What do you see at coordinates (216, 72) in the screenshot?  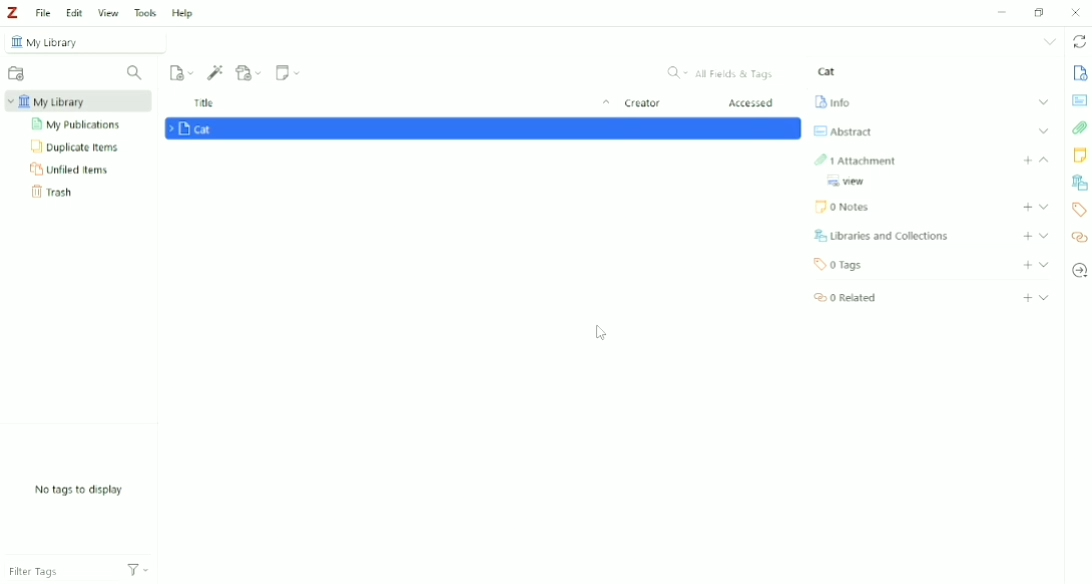 I see `Add Item (s) by Identifier` at bounding box center [216, 72].